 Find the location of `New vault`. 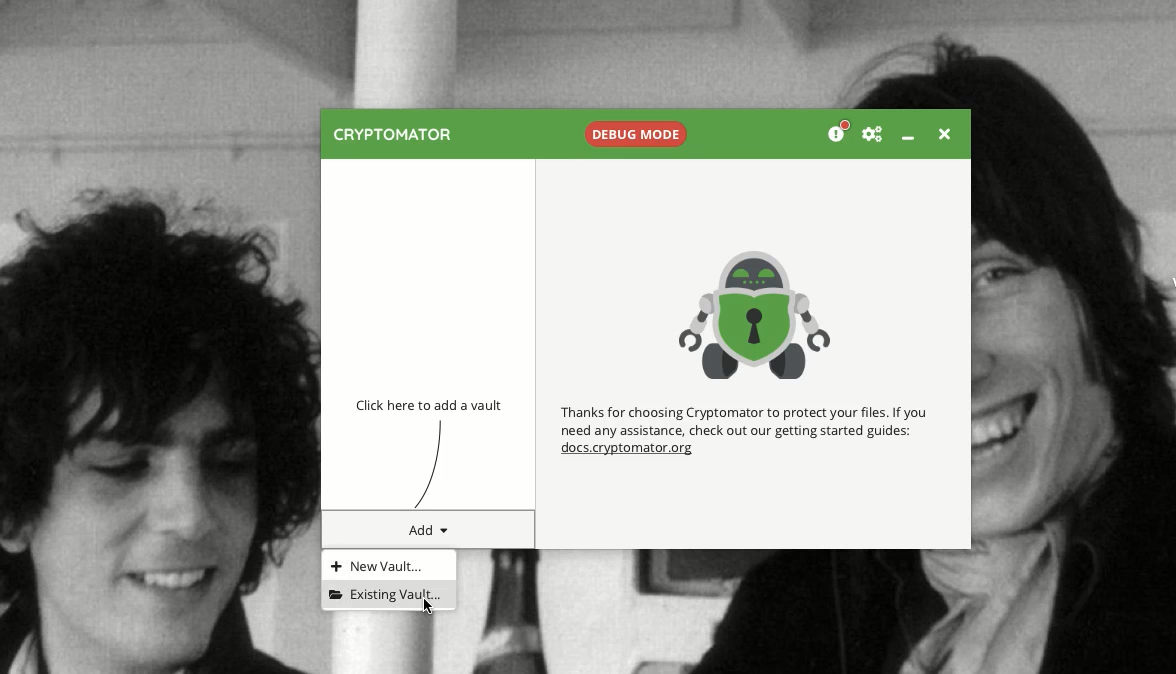

New vault is located at coordinates (376, 564).